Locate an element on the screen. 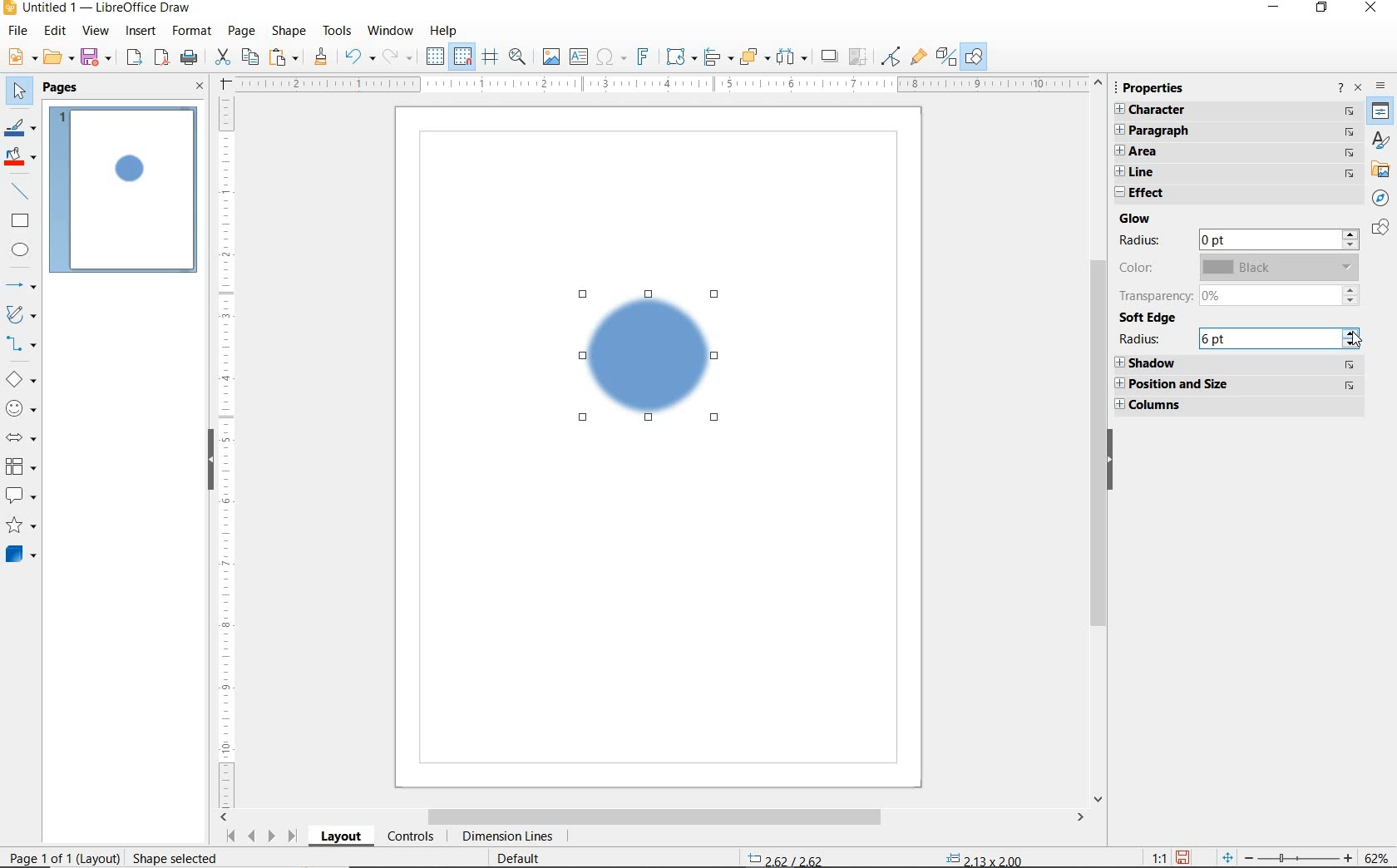  LINE is located at coordinates (1224, 172).